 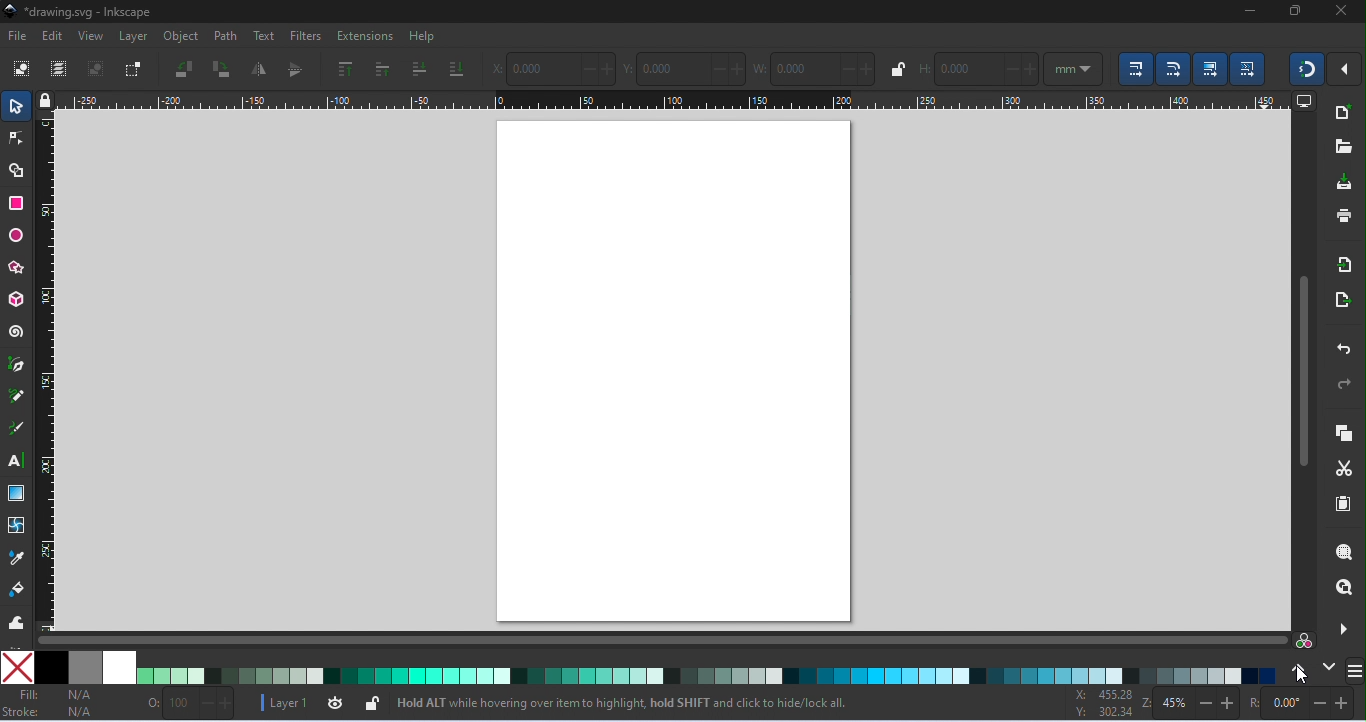 What do you see at coordinates (1346, 467) in the screenshot?
I see `cut` at bounding box center [1346, 467].